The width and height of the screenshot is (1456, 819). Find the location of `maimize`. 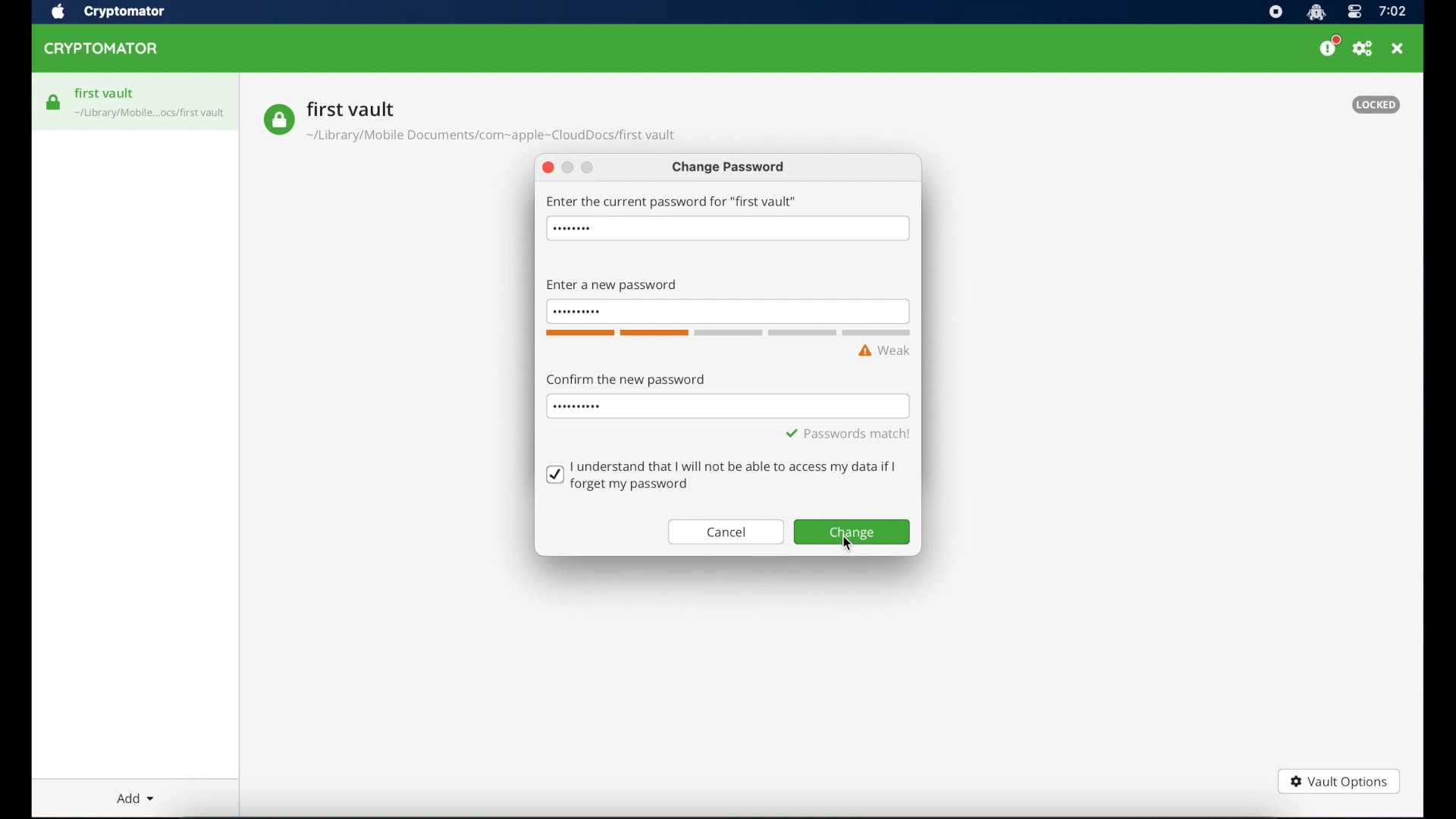

maimize is located at coordinates (587, 168).